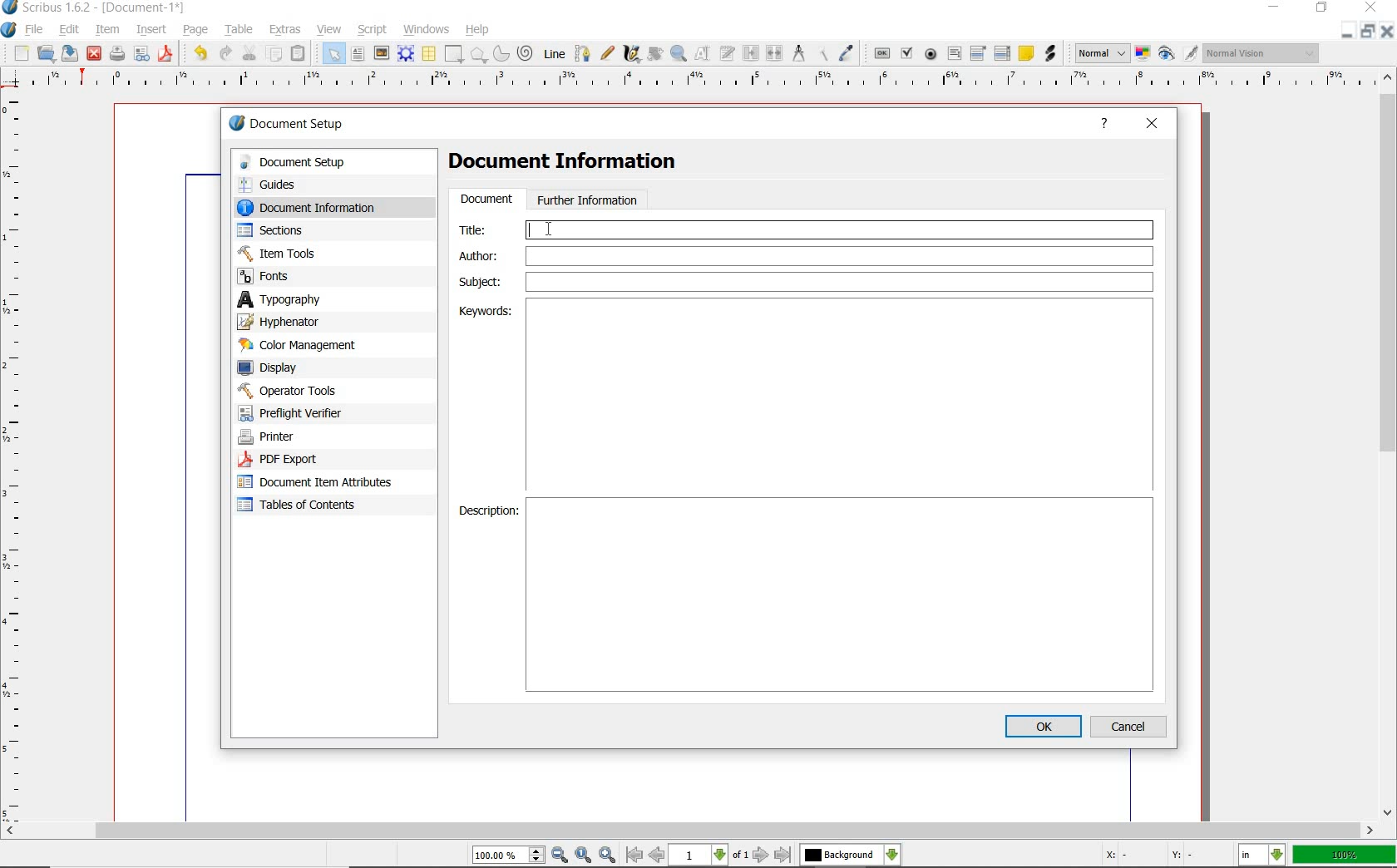  Describe the element at coordinates (954, 54) in the screenshot. I see `pdf text field` at that location.